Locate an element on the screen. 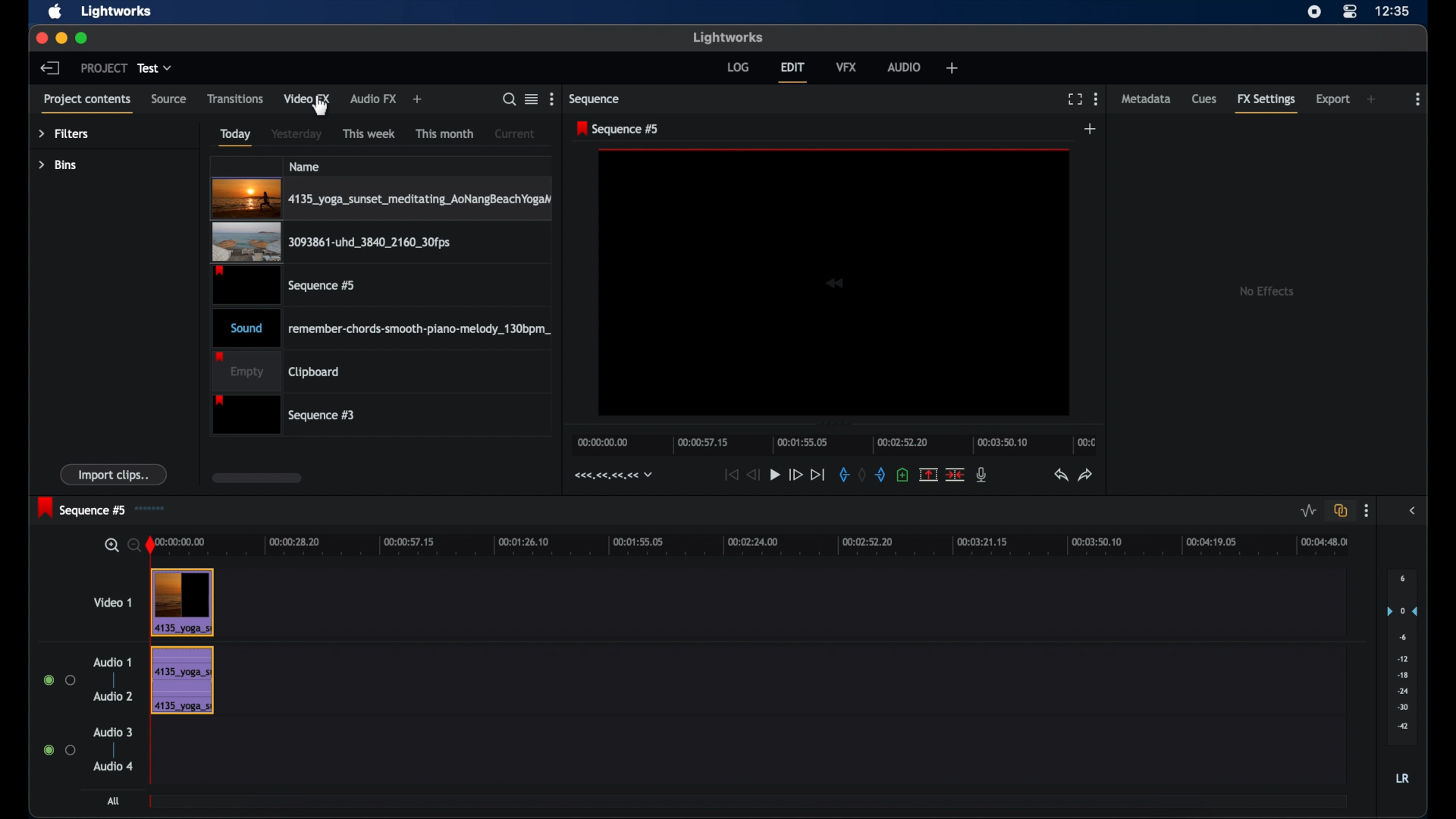 Image resolution: width=1456 pixels, height=819 pixels. this month is located at coordinates (446, 133).